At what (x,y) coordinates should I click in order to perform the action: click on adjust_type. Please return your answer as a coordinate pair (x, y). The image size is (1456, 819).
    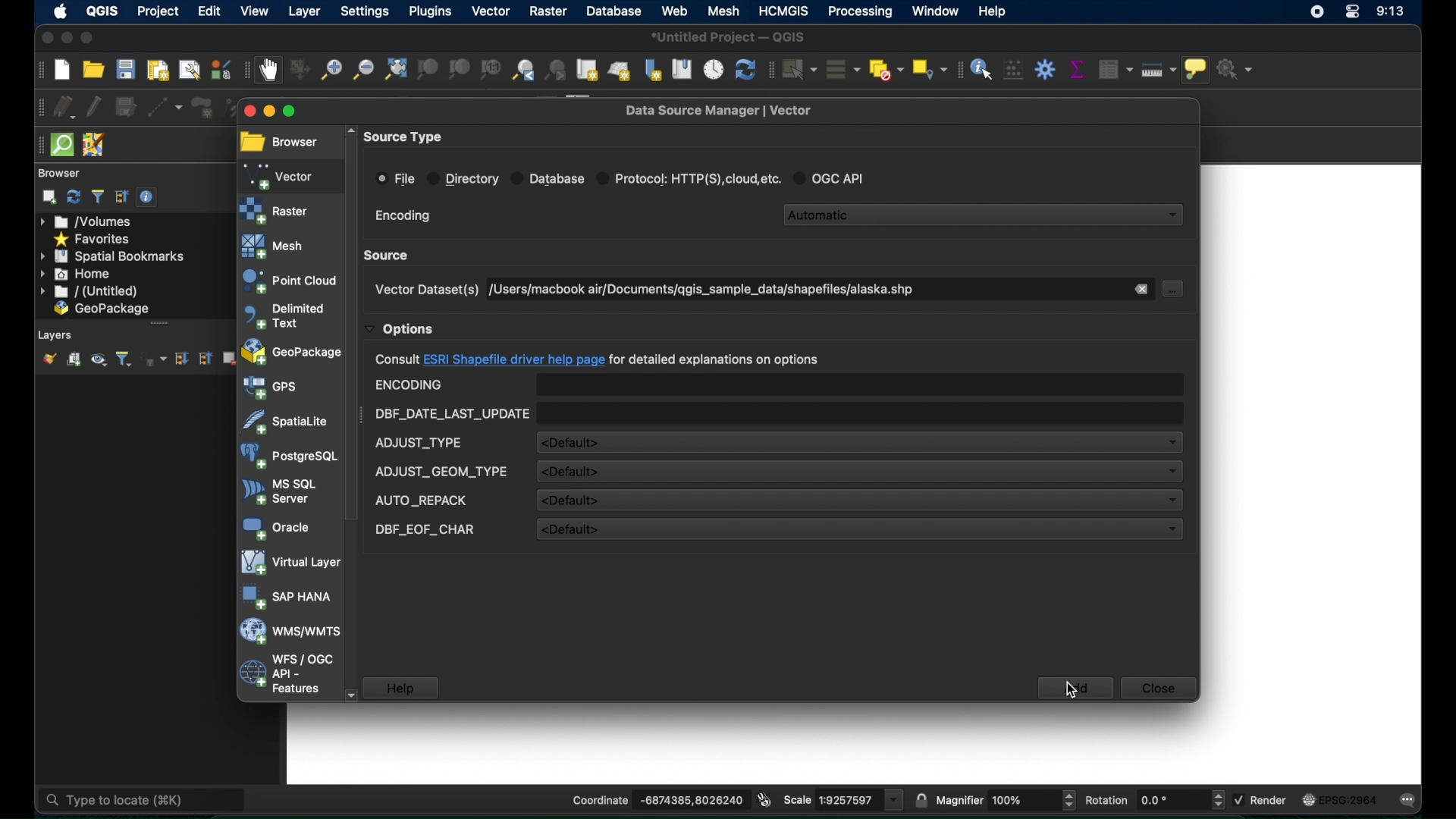
    Looking at the image, I should click on (419, 443).